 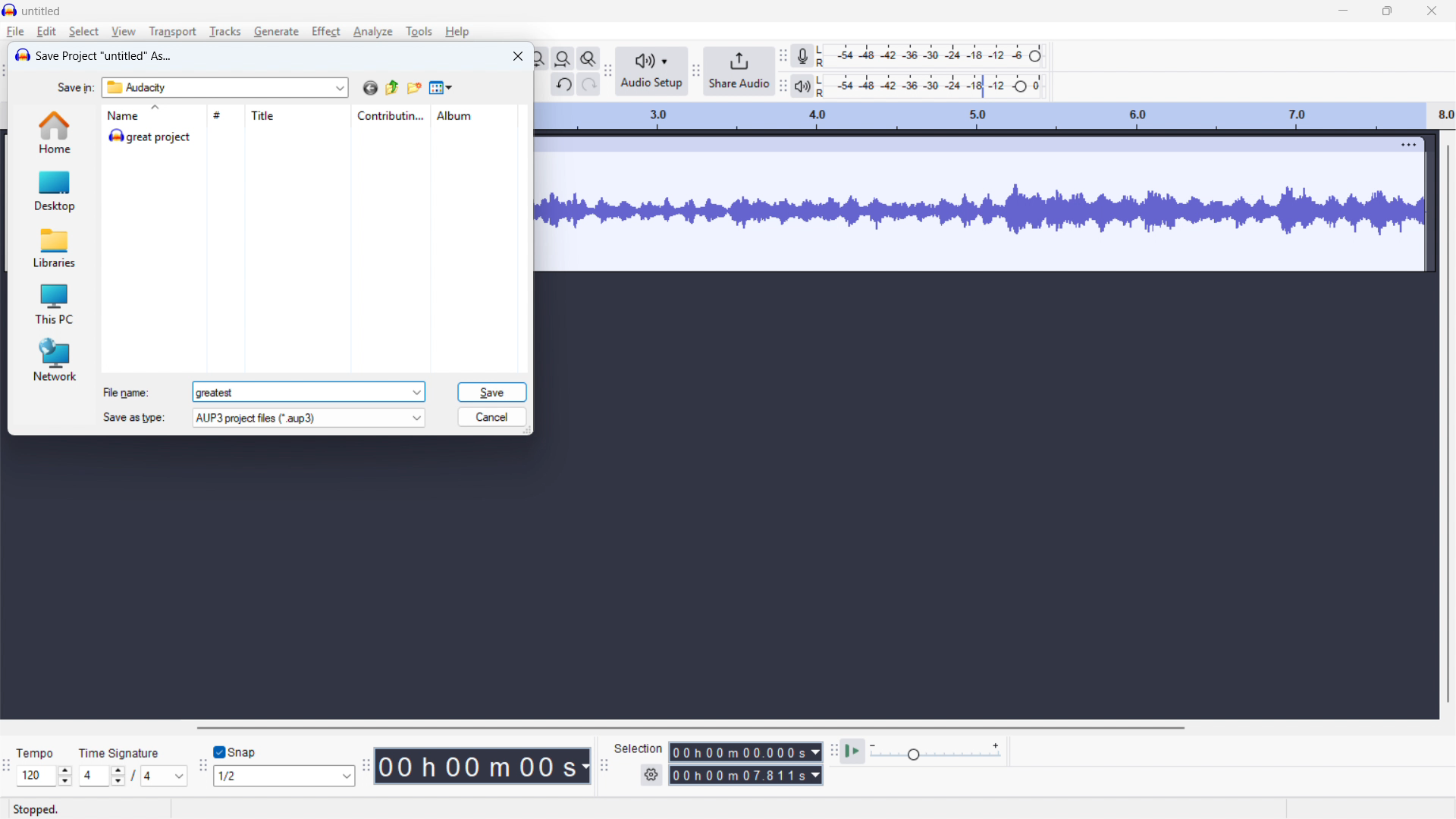 I want to click on undo, so click(x=562, y=84).